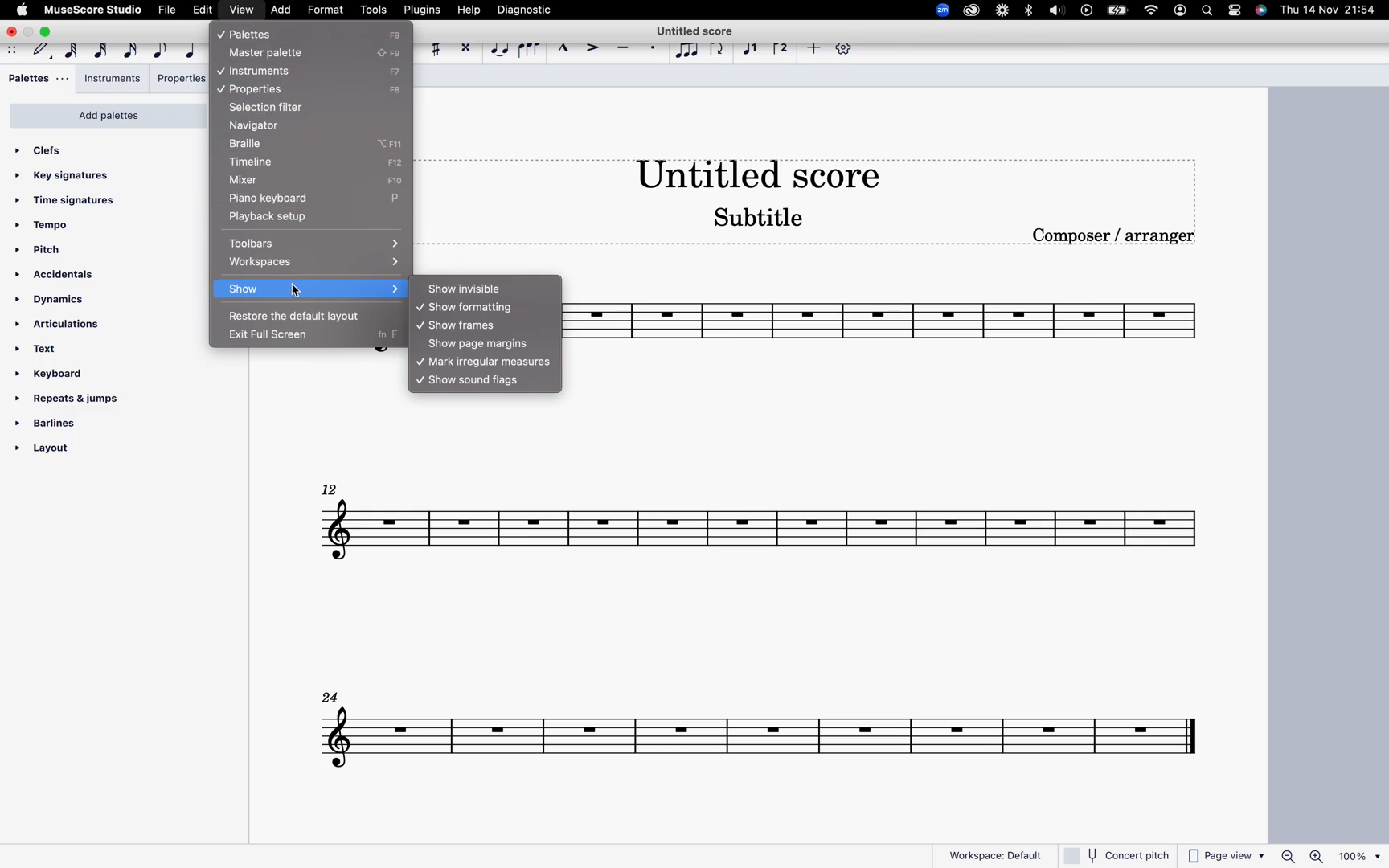  Describe the element at coordinates (64, 373) in the screenshot. I see `keyboard` at that location.